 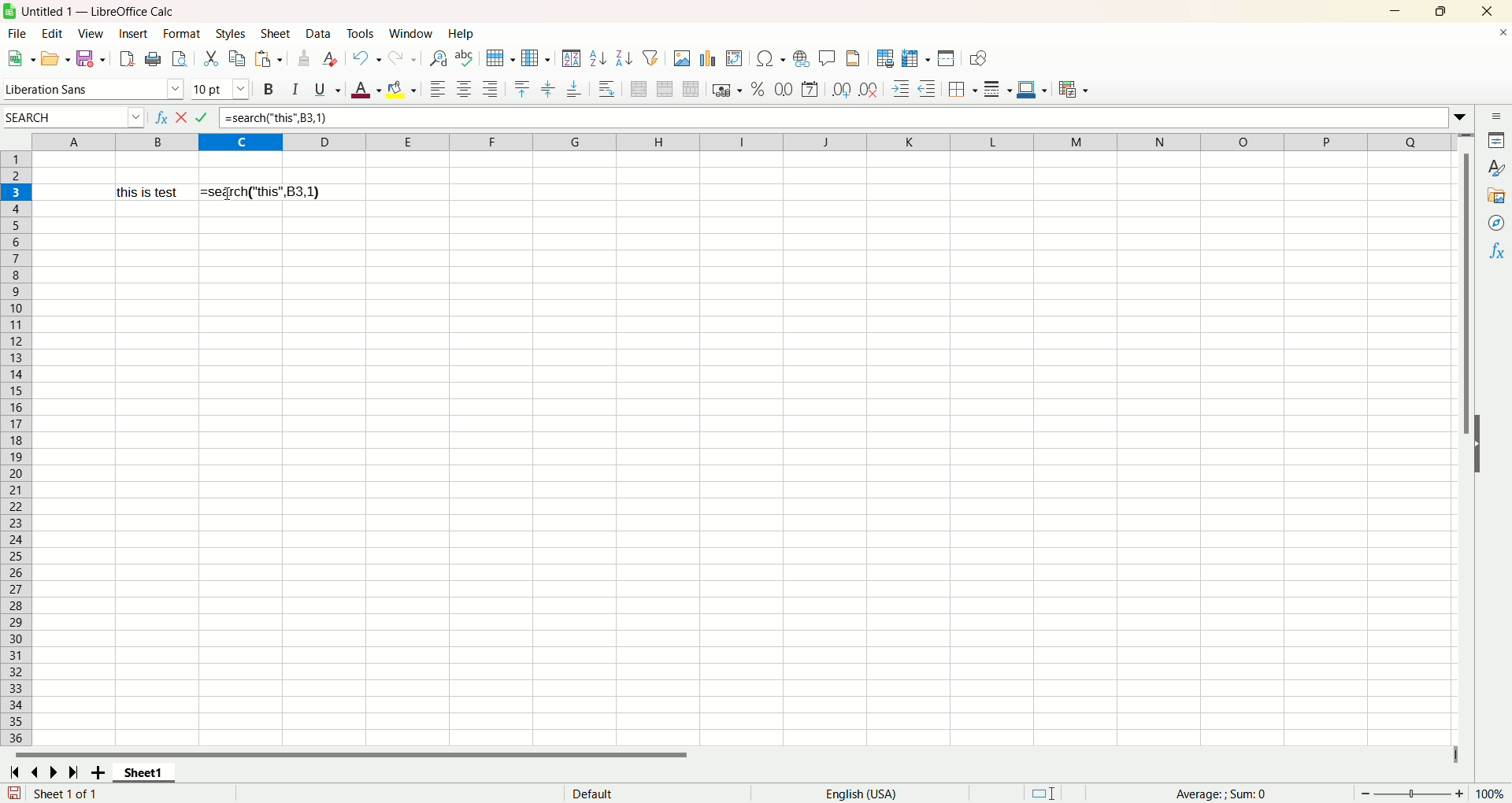 I want to click on merge and center, so click(x=638, y=89).